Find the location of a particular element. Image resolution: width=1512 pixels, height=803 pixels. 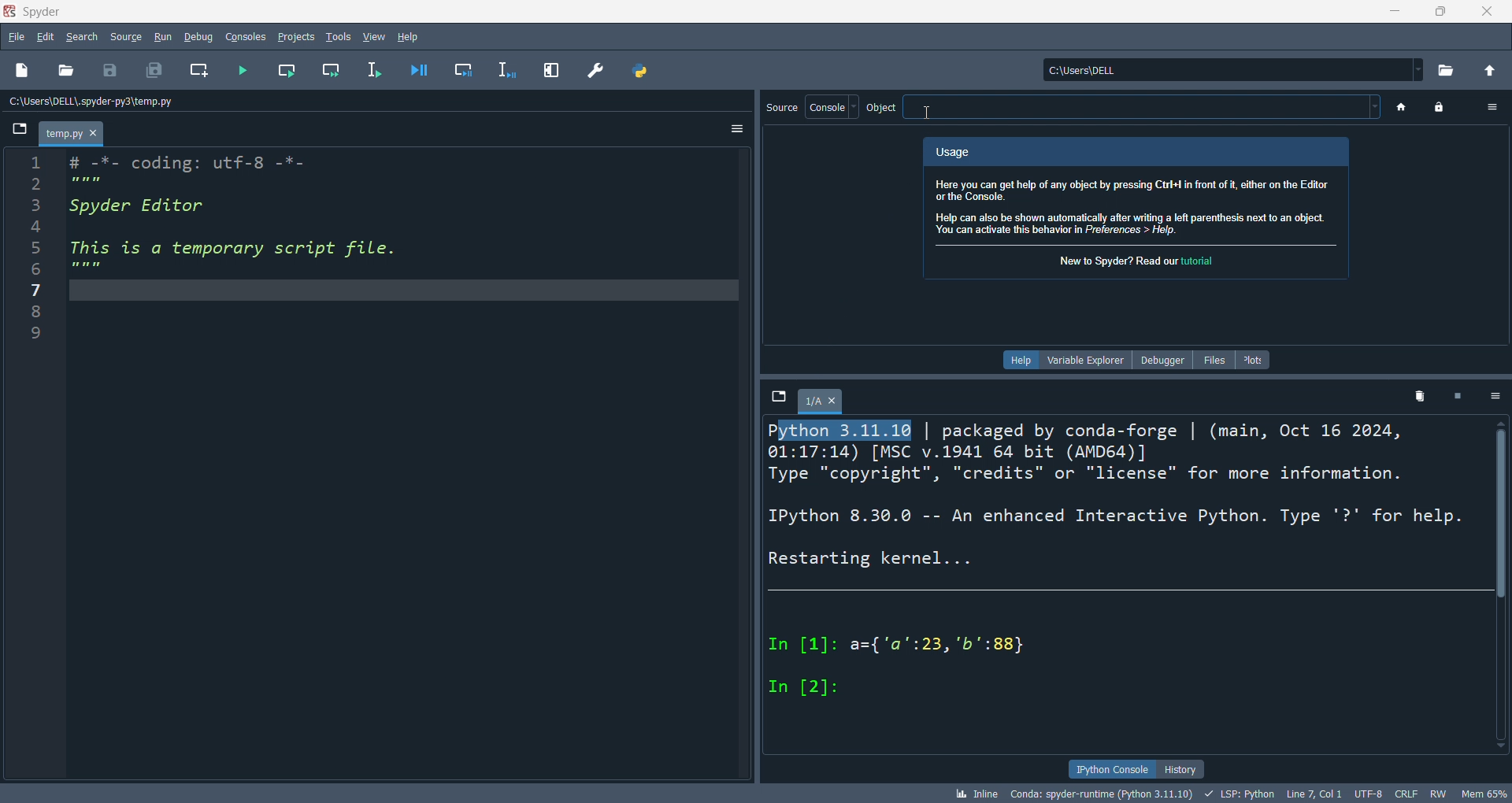

close kernel is located at coordinates (1450, 396).